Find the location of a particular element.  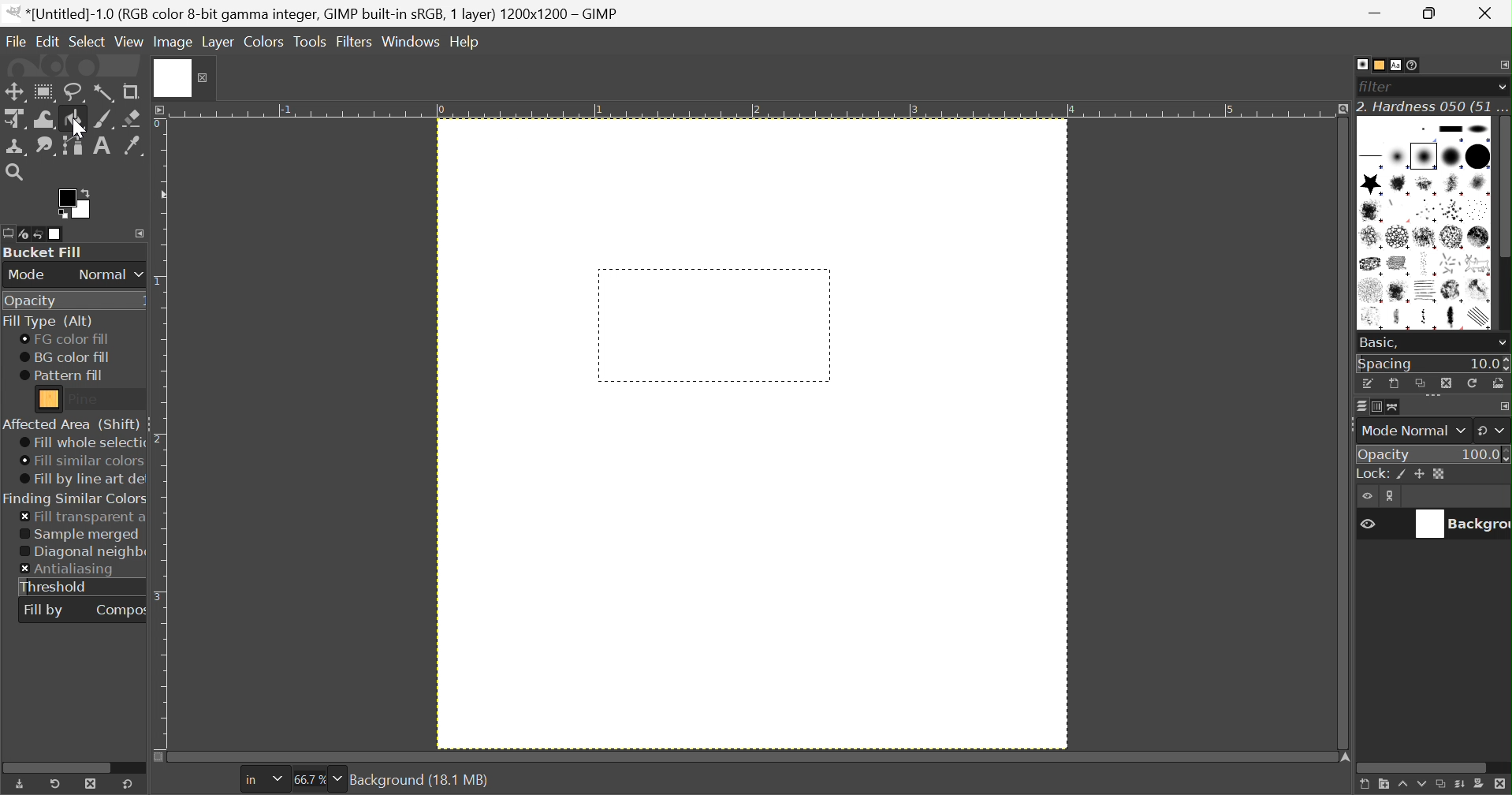

FG color fill is located at coordinates (63, 339).